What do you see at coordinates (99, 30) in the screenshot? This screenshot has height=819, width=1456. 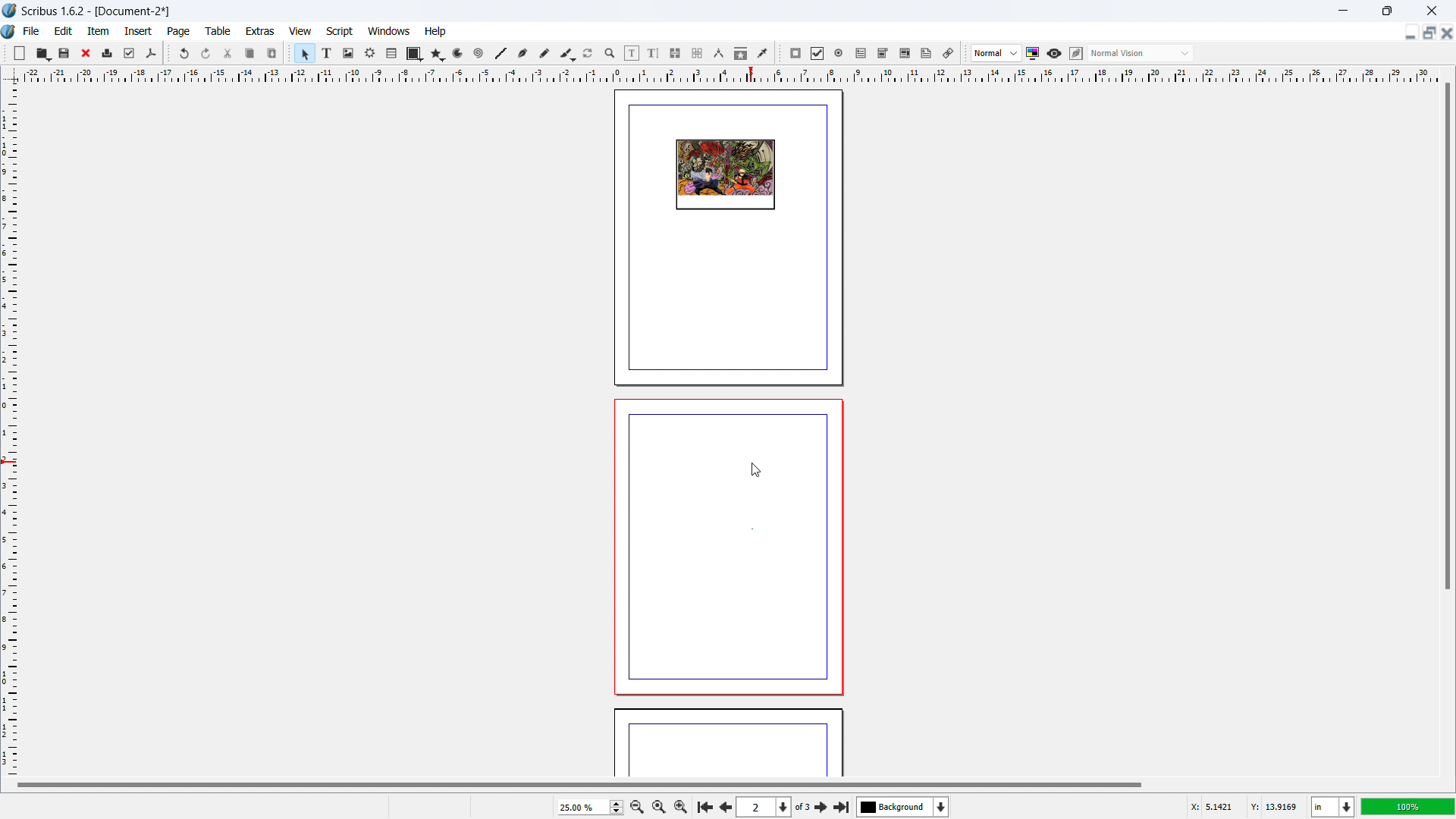 I see `item` at bounding box center [99, 30].